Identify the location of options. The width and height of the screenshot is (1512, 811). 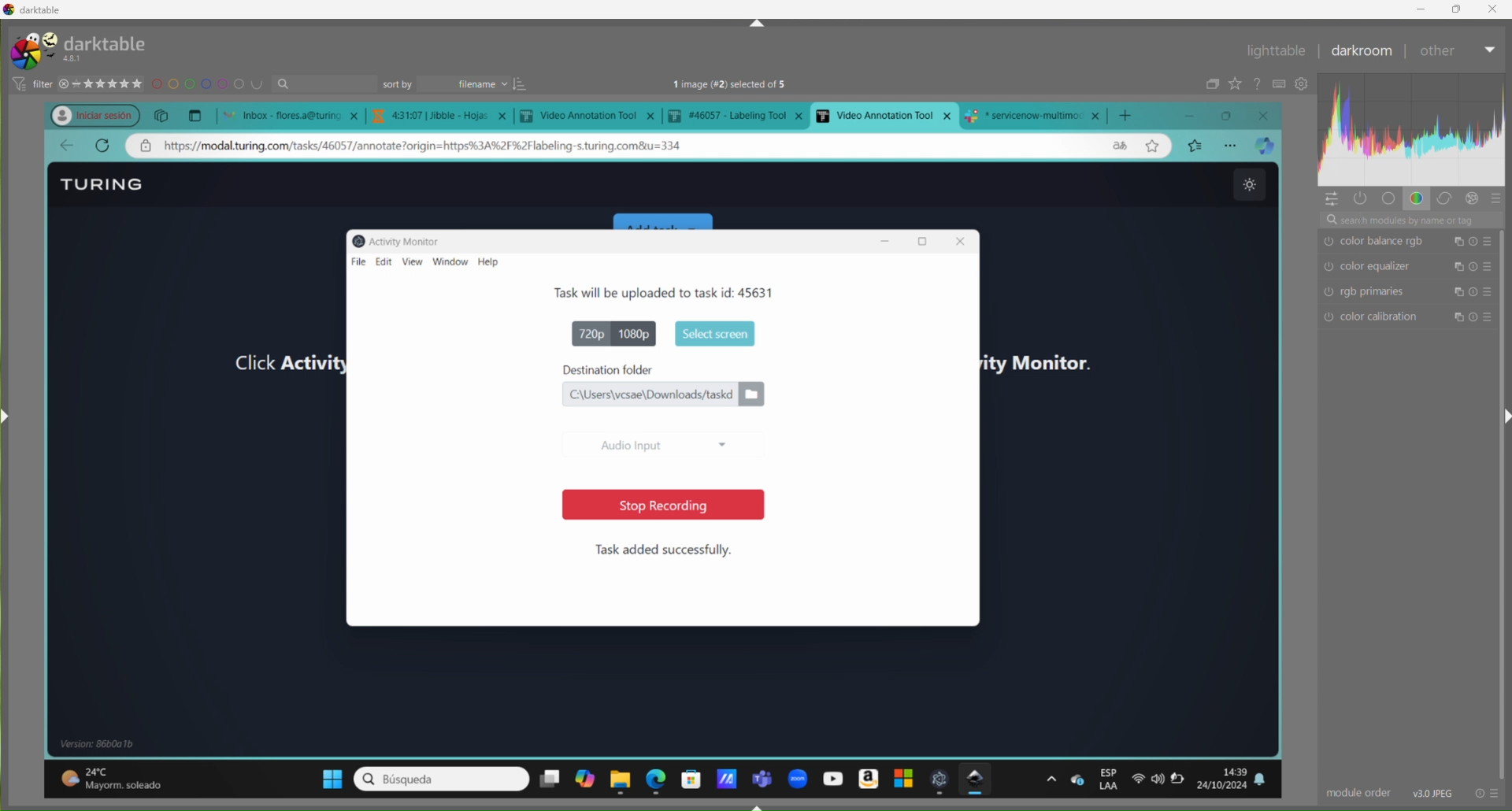
(1051, 779).